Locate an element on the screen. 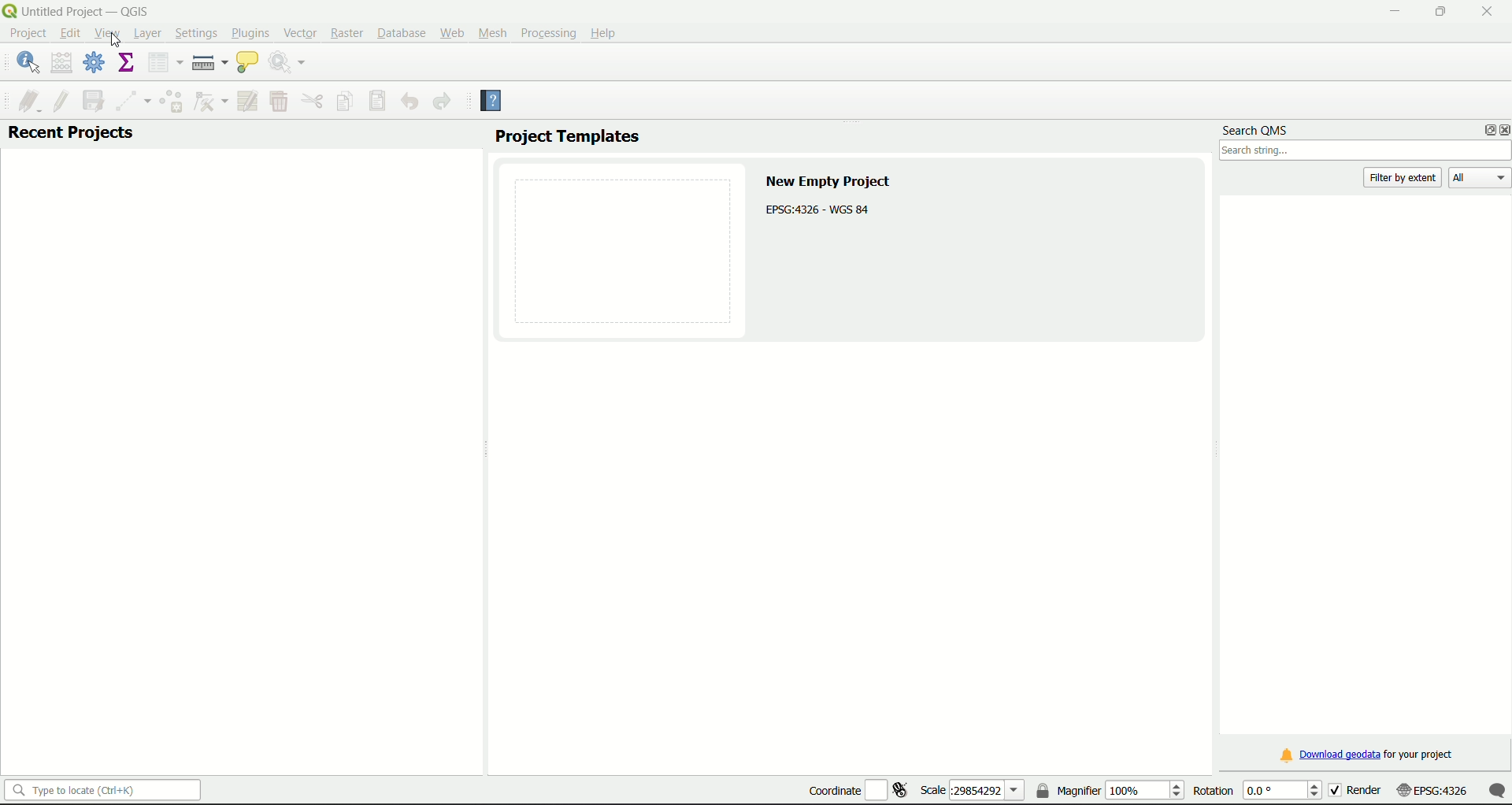  identify features is located at coordinates (27, 61).